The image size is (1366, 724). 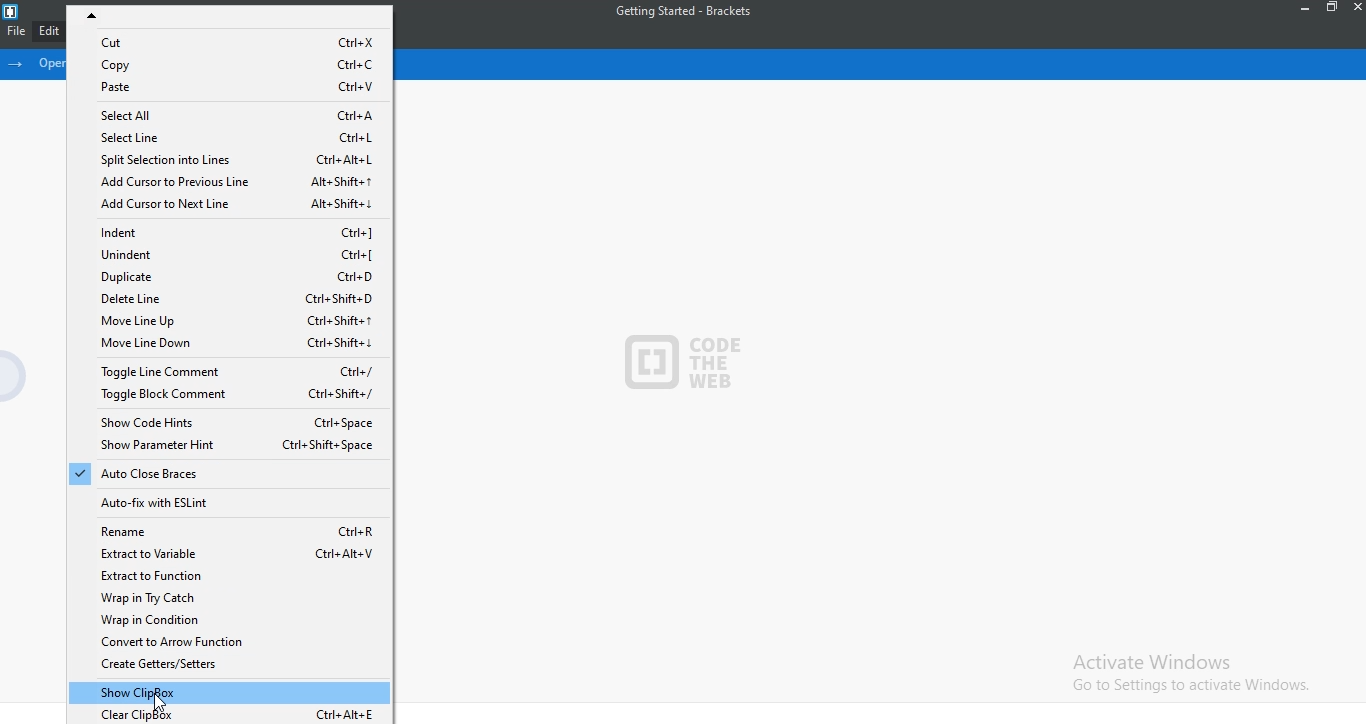 What do you see at coordinates (687, 360) in the screenshot?
I see `code the web` at bounding box center [687, 360].